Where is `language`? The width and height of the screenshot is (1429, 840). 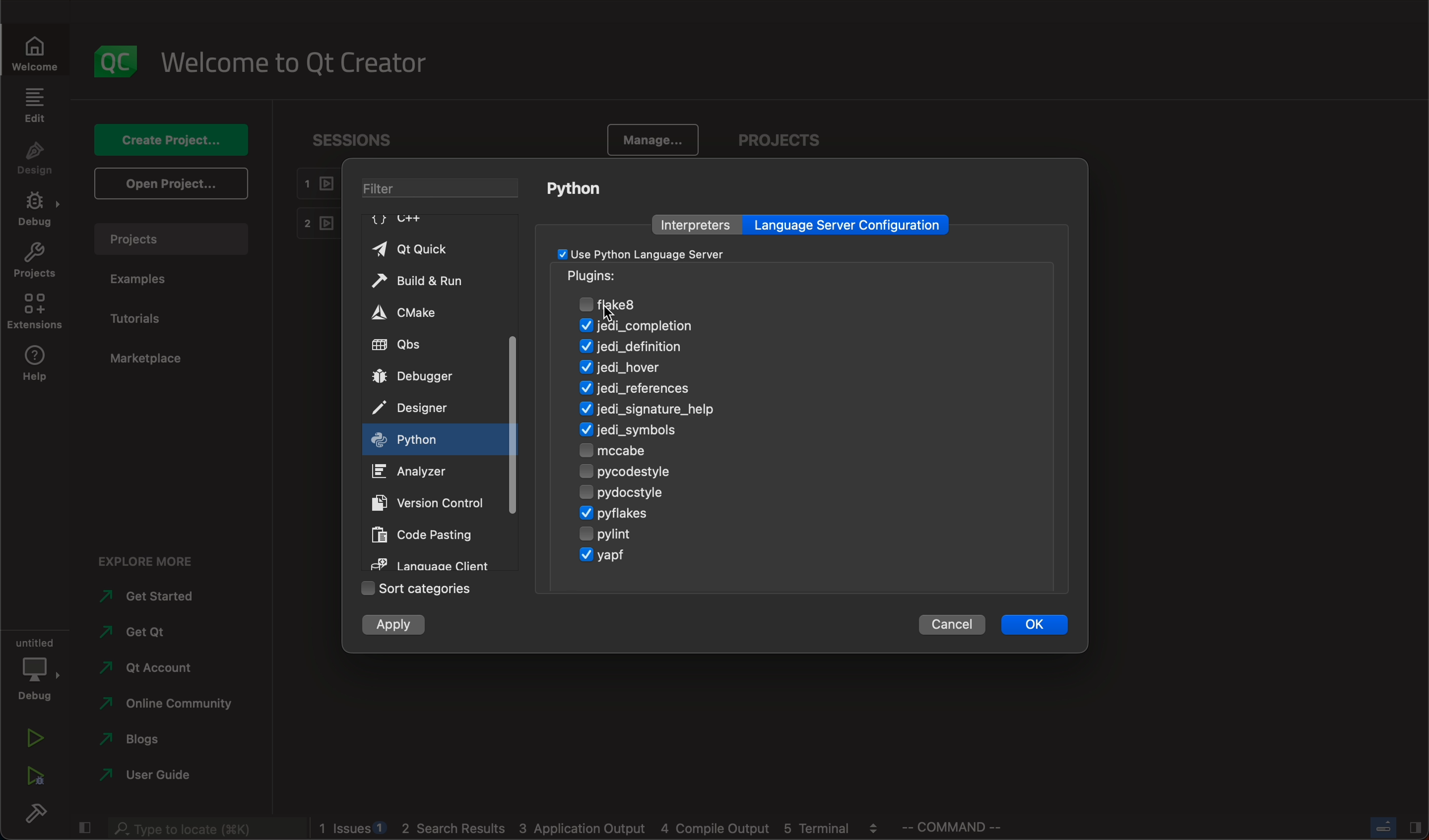 language is located at coordinates (429, 562).